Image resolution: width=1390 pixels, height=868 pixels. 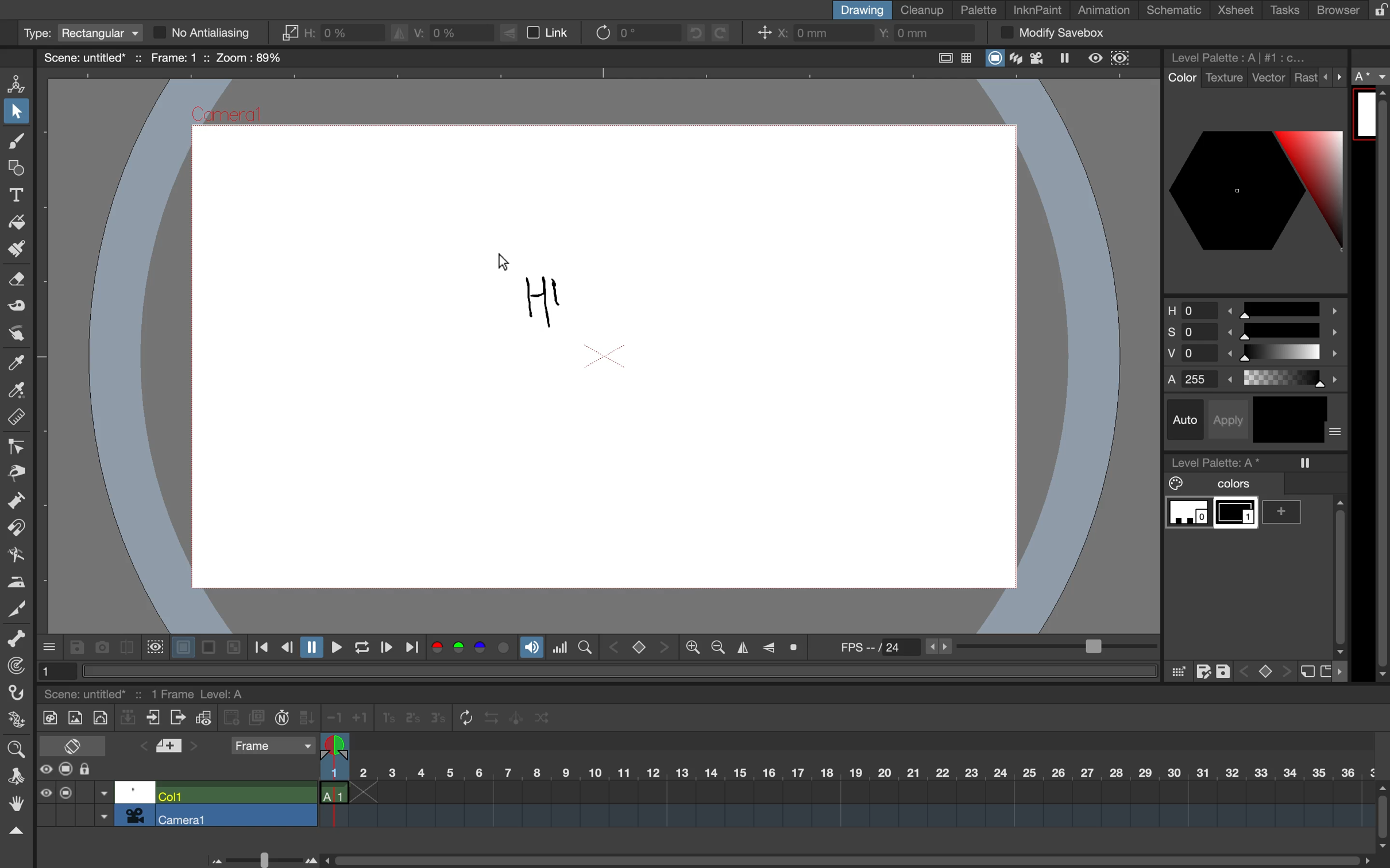 I want to click on click and drag color palaette, so click(x=1177, y=672).